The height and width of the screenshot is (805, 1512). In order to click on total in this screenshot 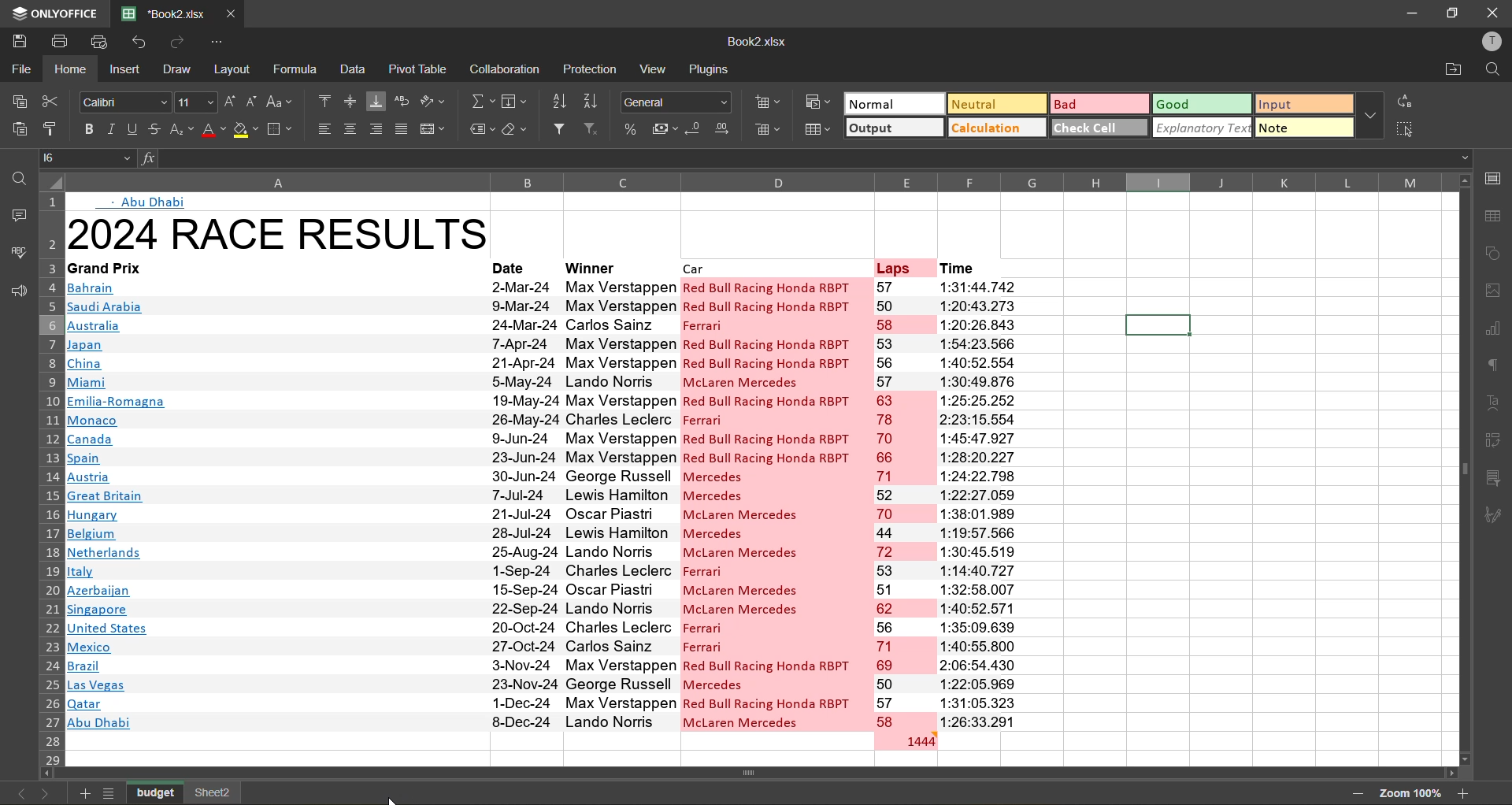, I will do `click(903, 740)`.